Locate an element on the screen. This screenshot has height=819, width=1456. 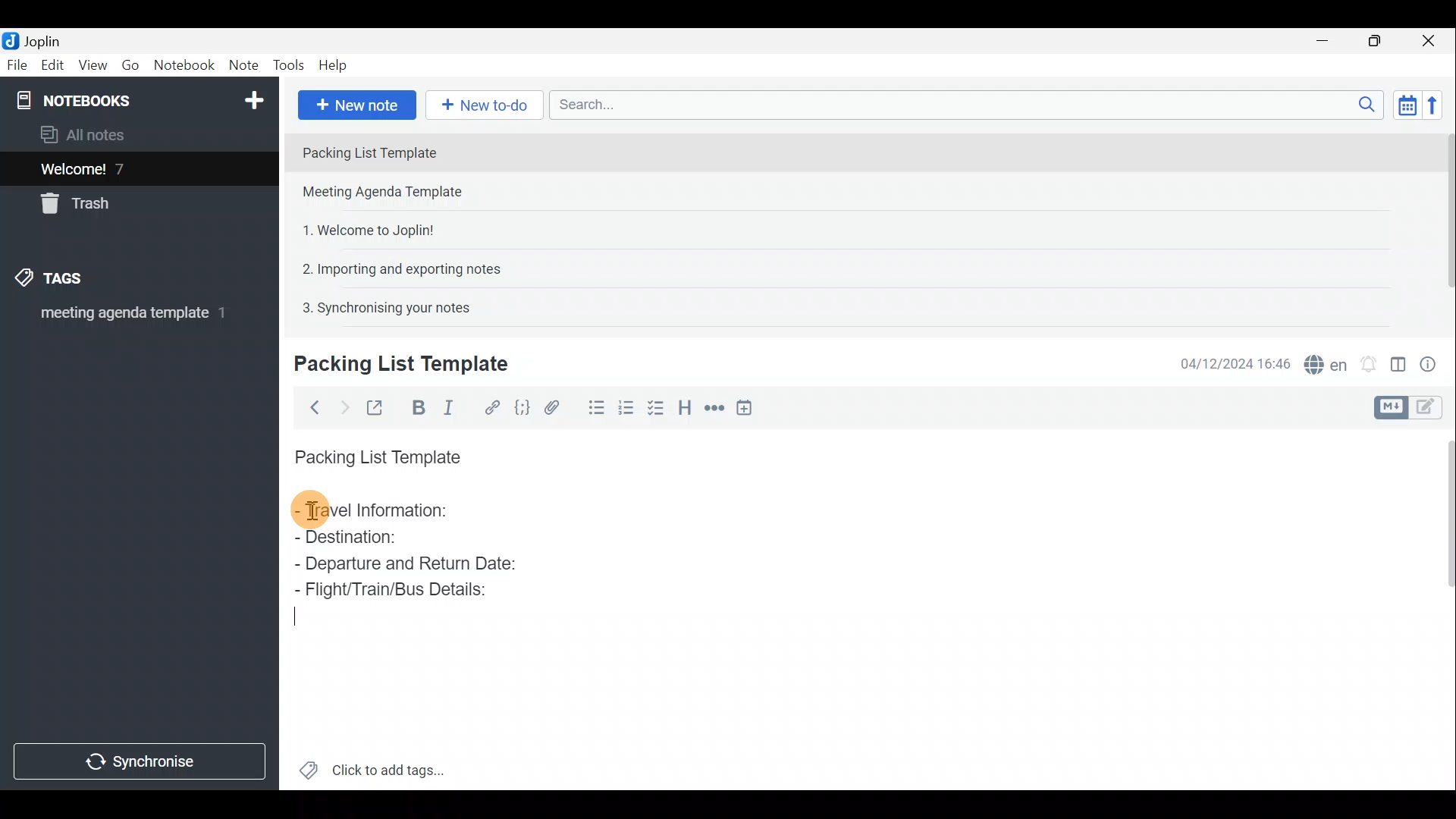
Note is located at coordinates (243, 66).